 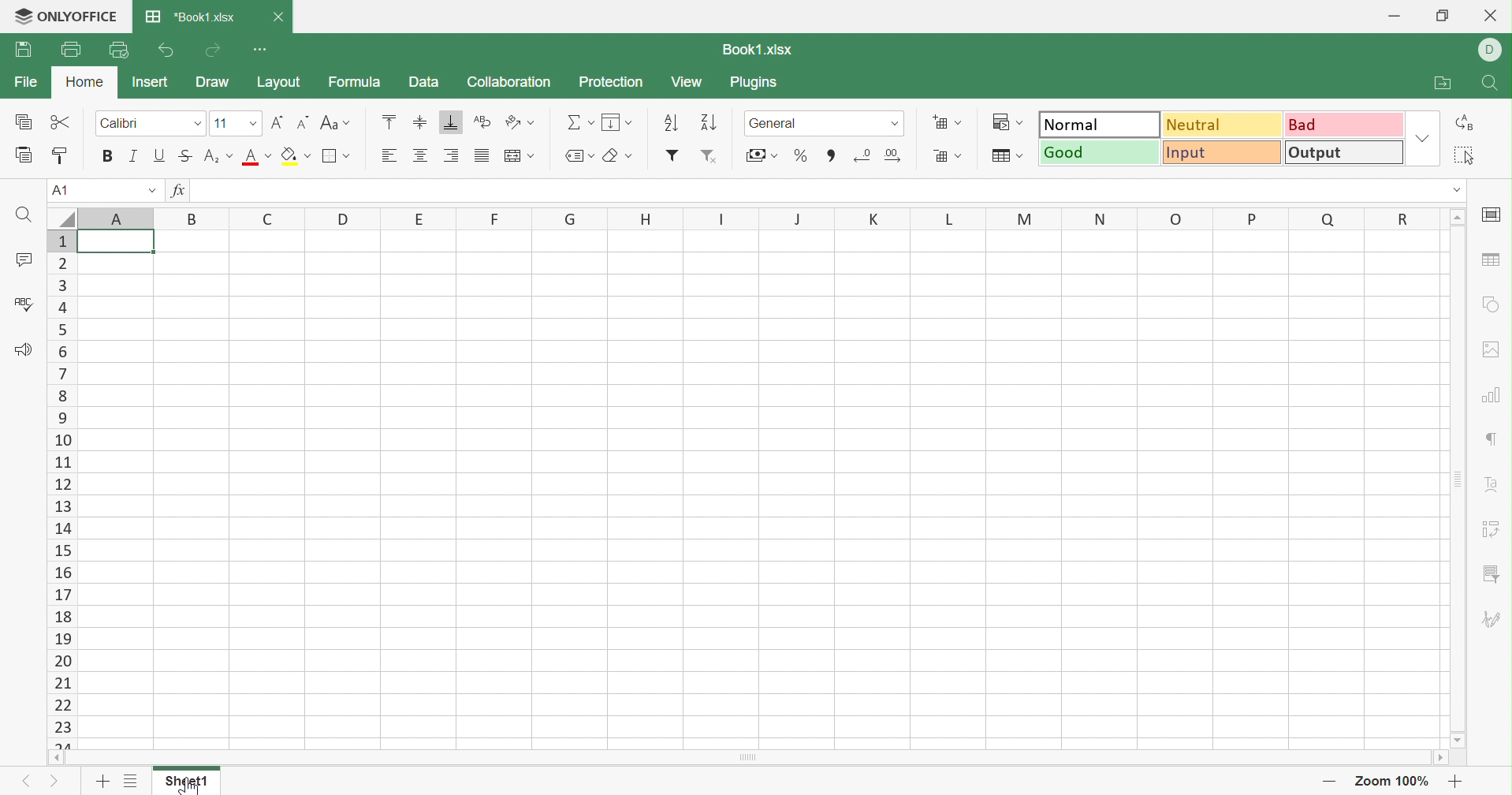 I want to click on Insert, so click(x=152, y=82).